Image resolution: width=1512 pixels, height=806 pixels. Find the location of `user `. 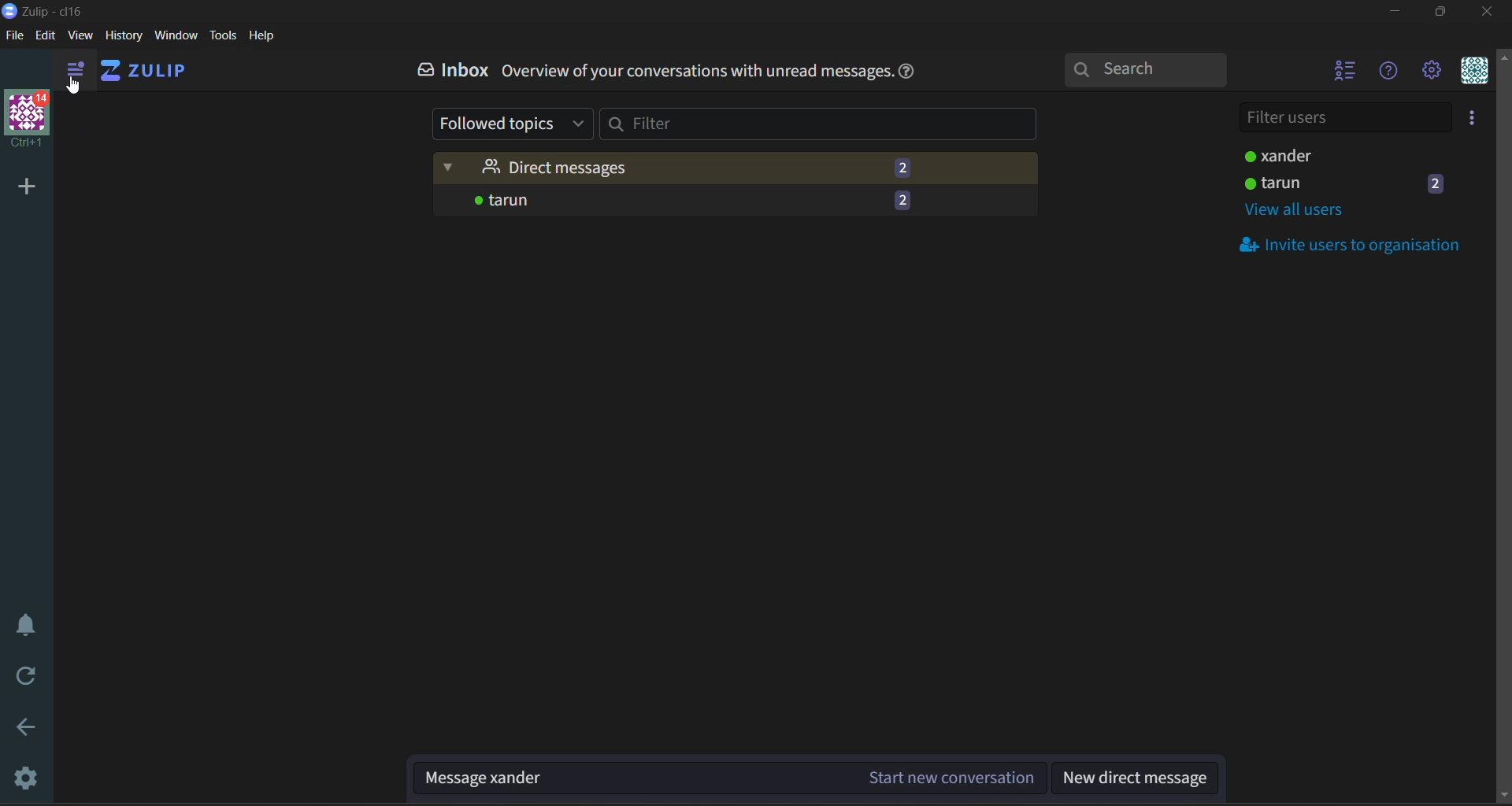

user  is located at coordinates (1350, 182).